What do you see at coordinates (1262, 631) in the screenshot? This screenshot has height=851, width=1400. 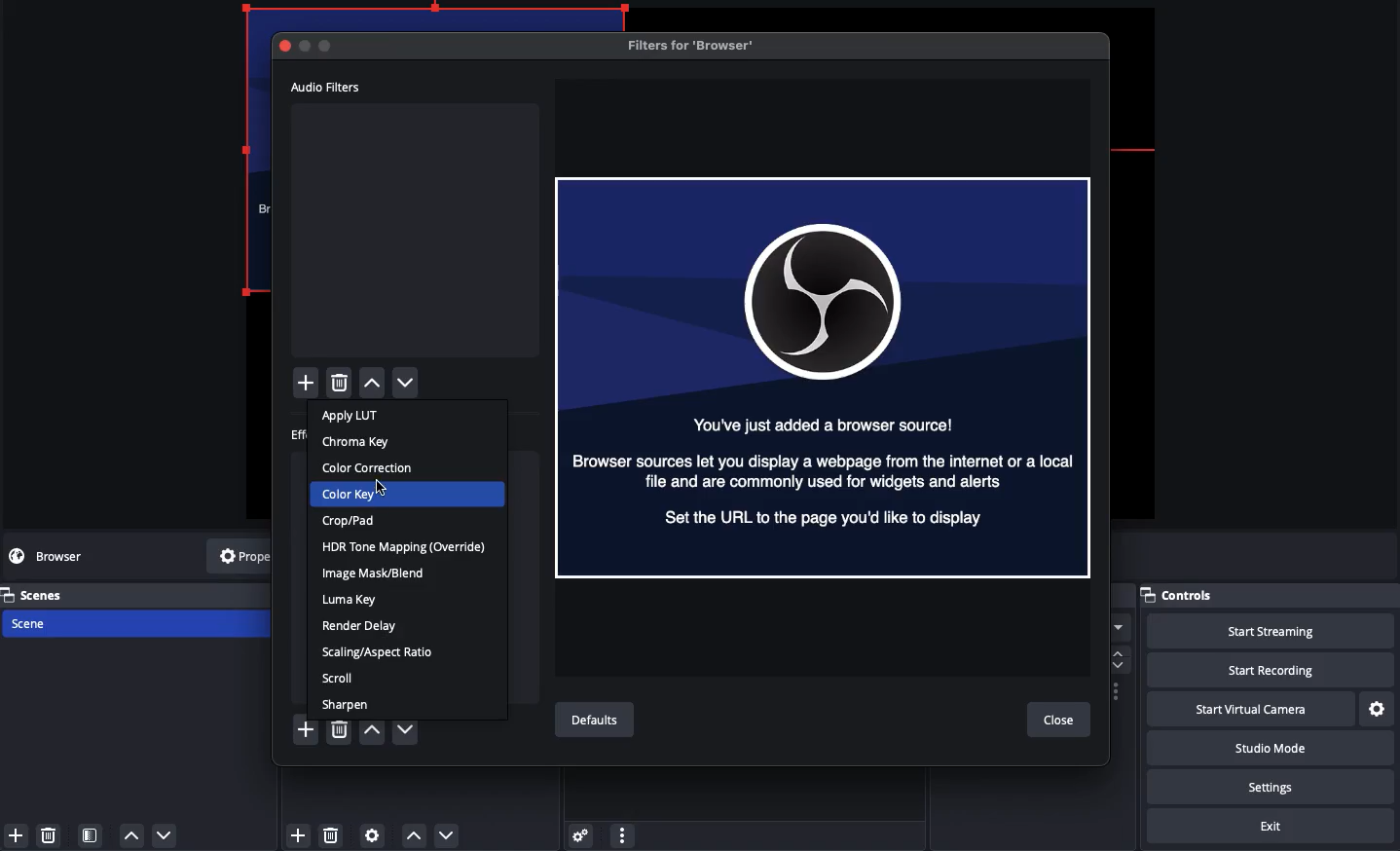 I see `Start streaming` at bounding box center [1262, 631].